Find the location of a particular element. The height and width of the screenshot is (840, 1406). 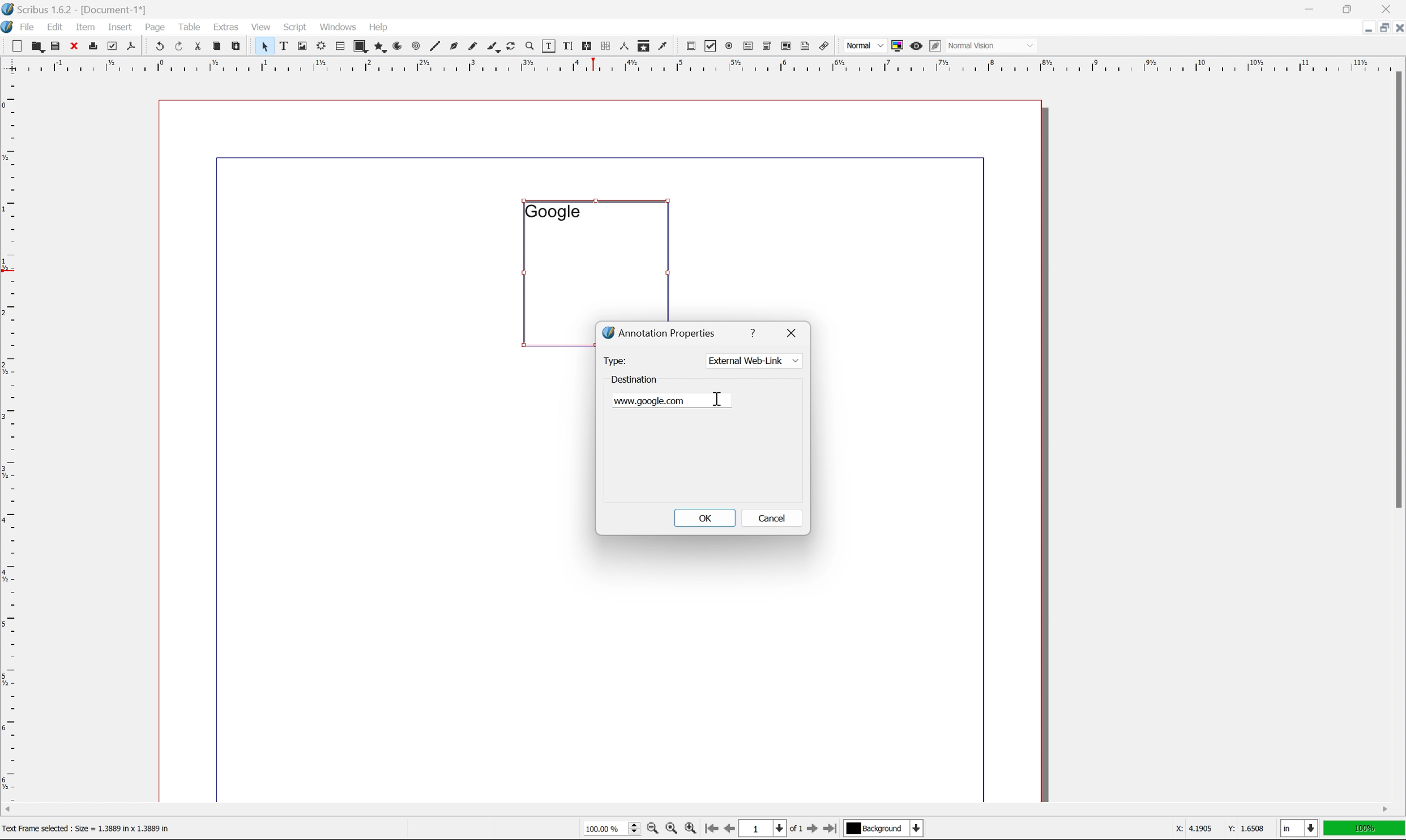

zoom in is located at coordinates (690, 829).